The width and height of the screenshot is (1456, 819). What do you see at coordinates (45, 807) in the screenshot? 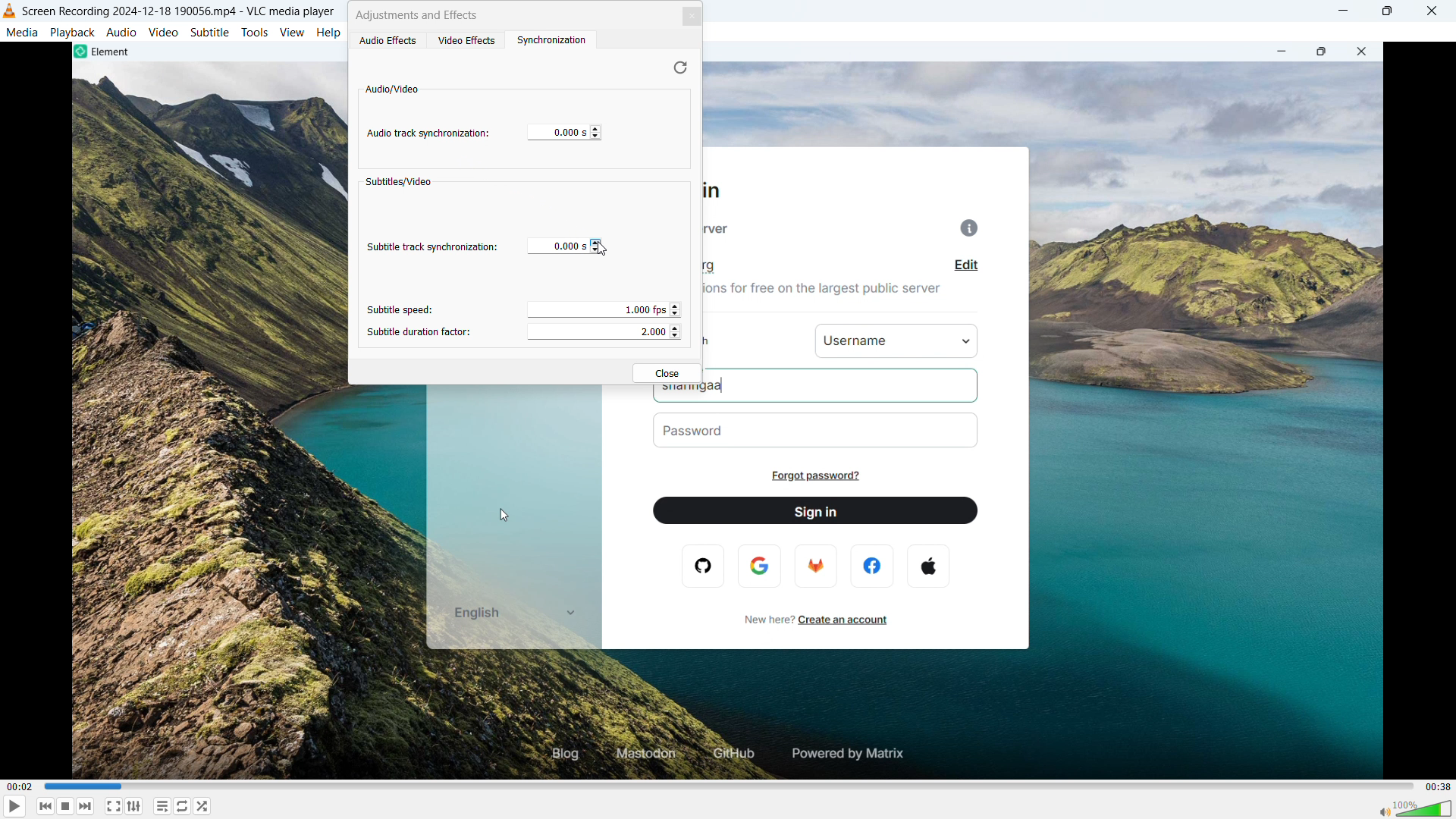
I see `backward or previous media` at bounding box center [45, 807].